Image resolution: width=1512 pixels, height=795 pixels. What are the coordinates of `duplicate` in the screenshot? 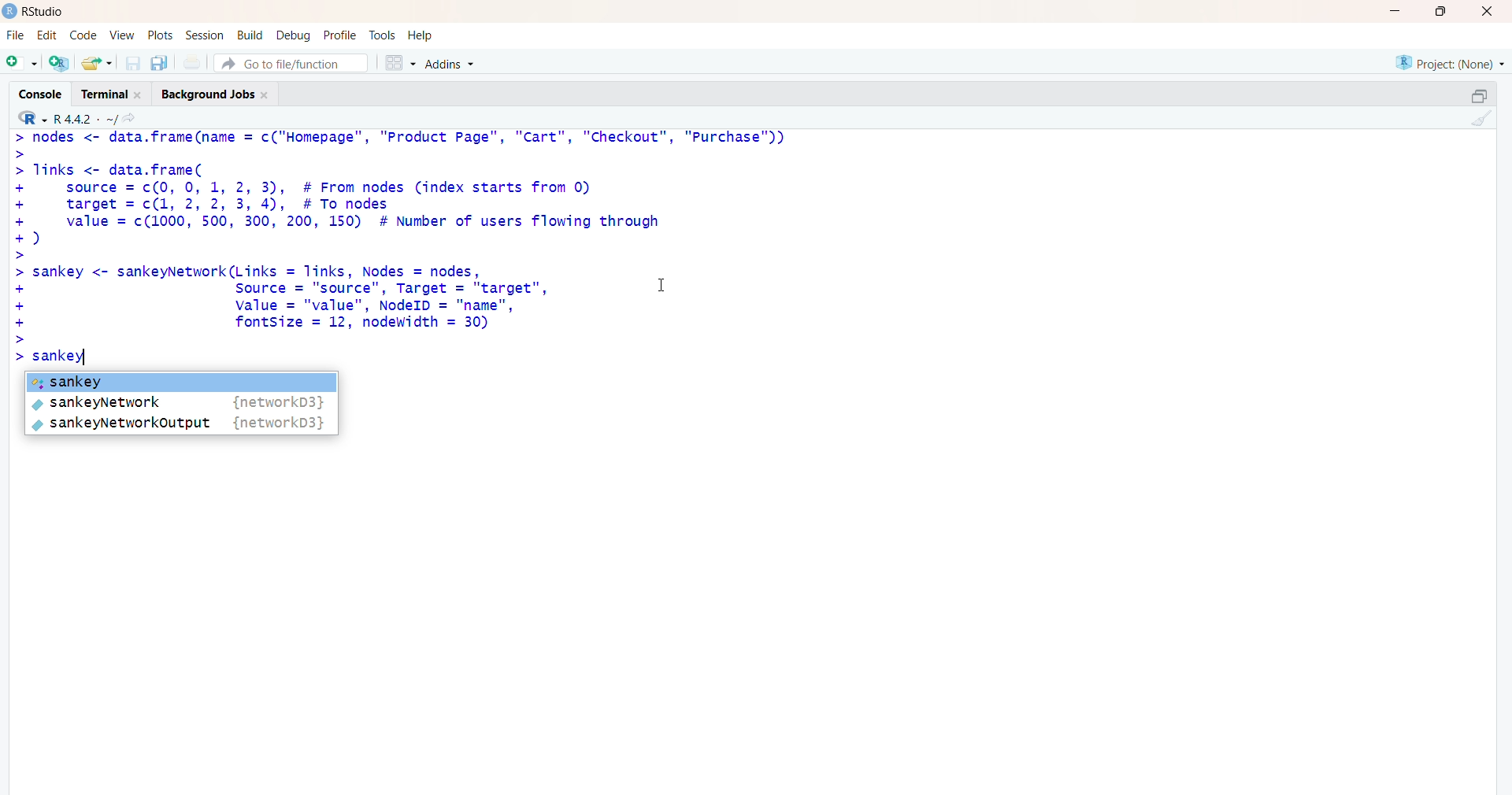 It's located at (161, 63).